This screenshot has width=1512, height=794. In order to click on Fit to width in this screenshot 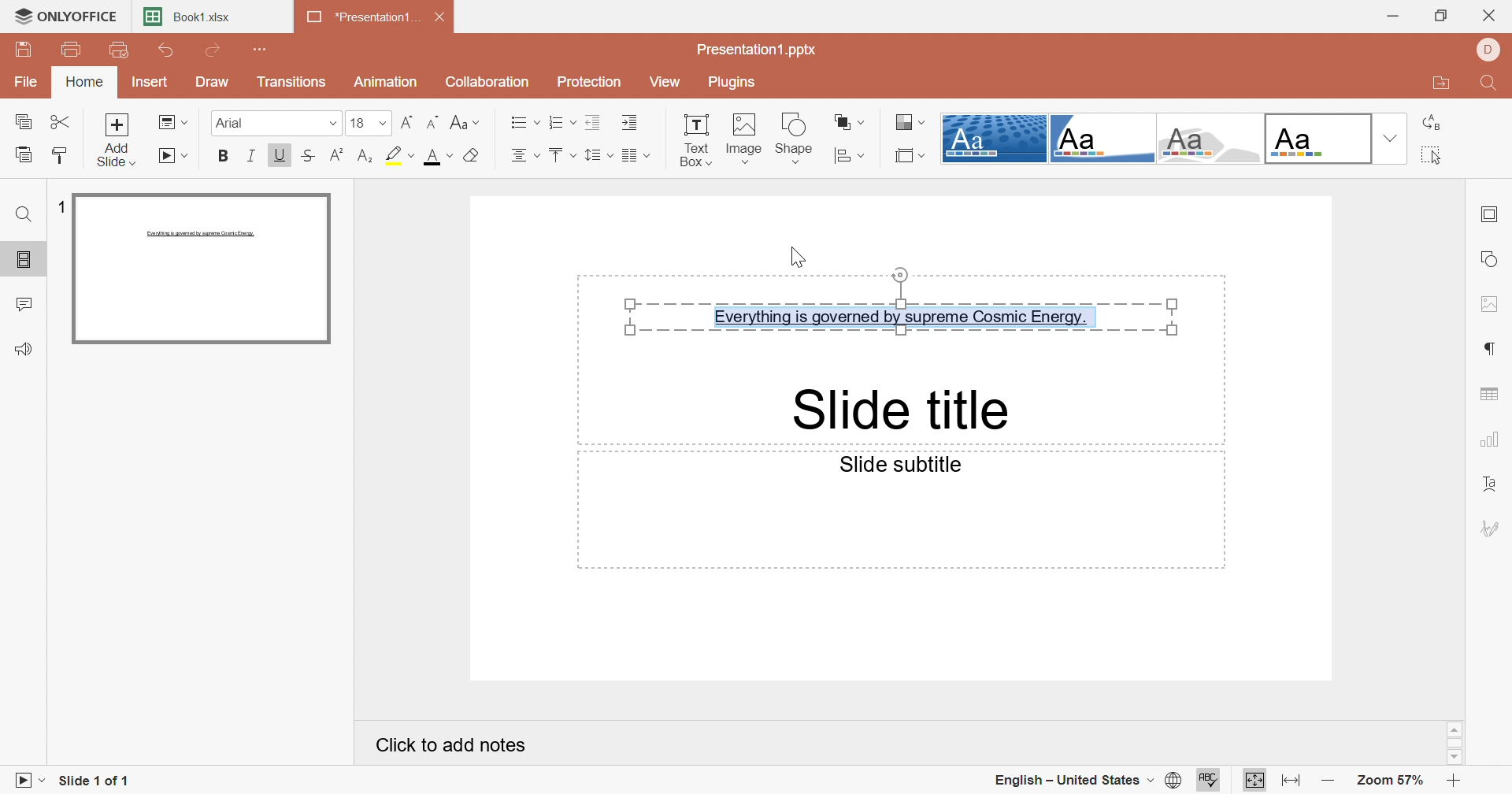, I will do `click(1289, 781)`.